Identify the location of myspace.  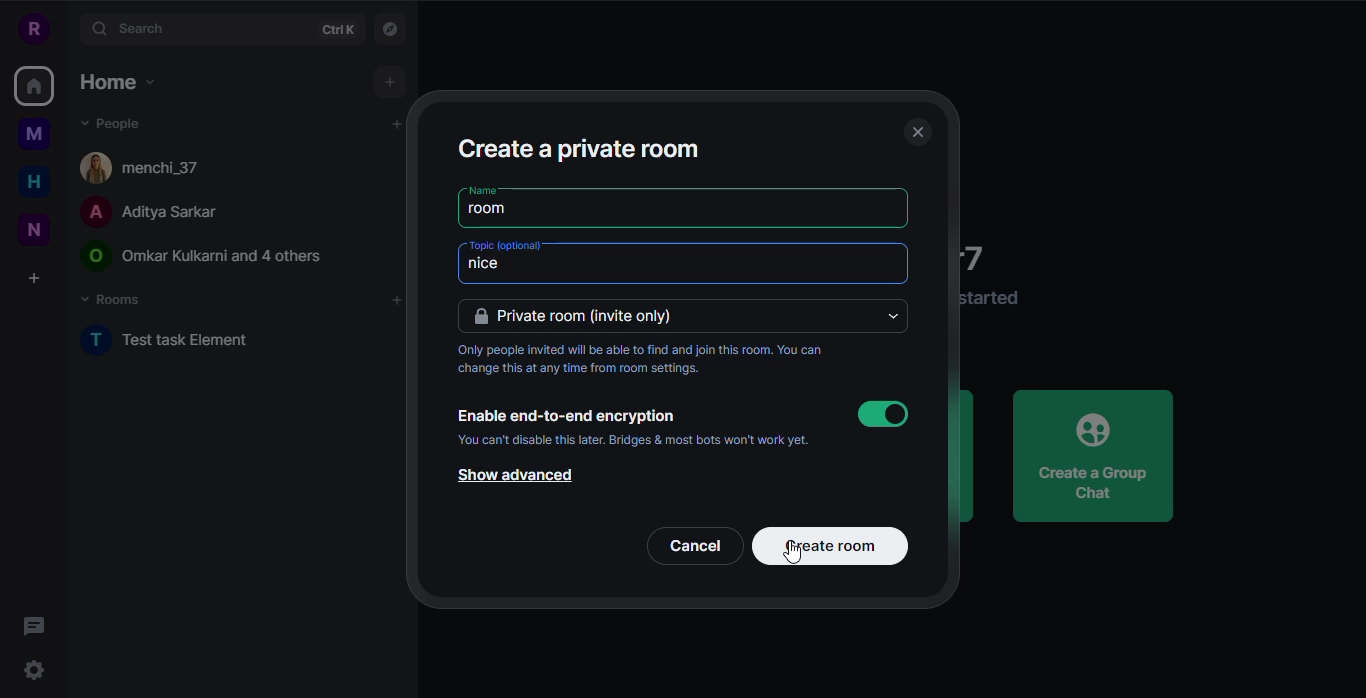
(34, 134).